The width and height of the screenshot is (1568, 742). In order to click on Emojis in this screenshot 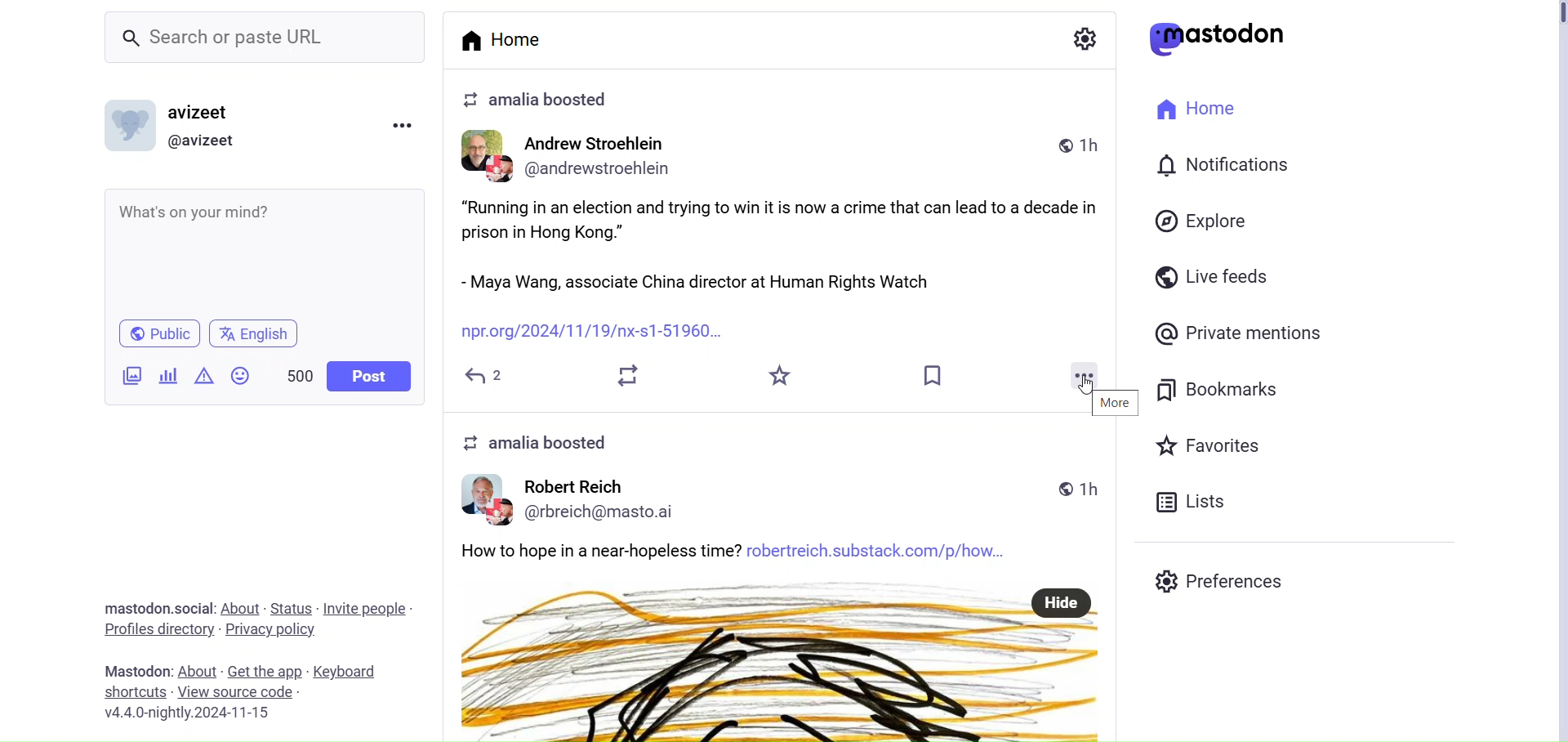, I will do `click(242, 374)`.